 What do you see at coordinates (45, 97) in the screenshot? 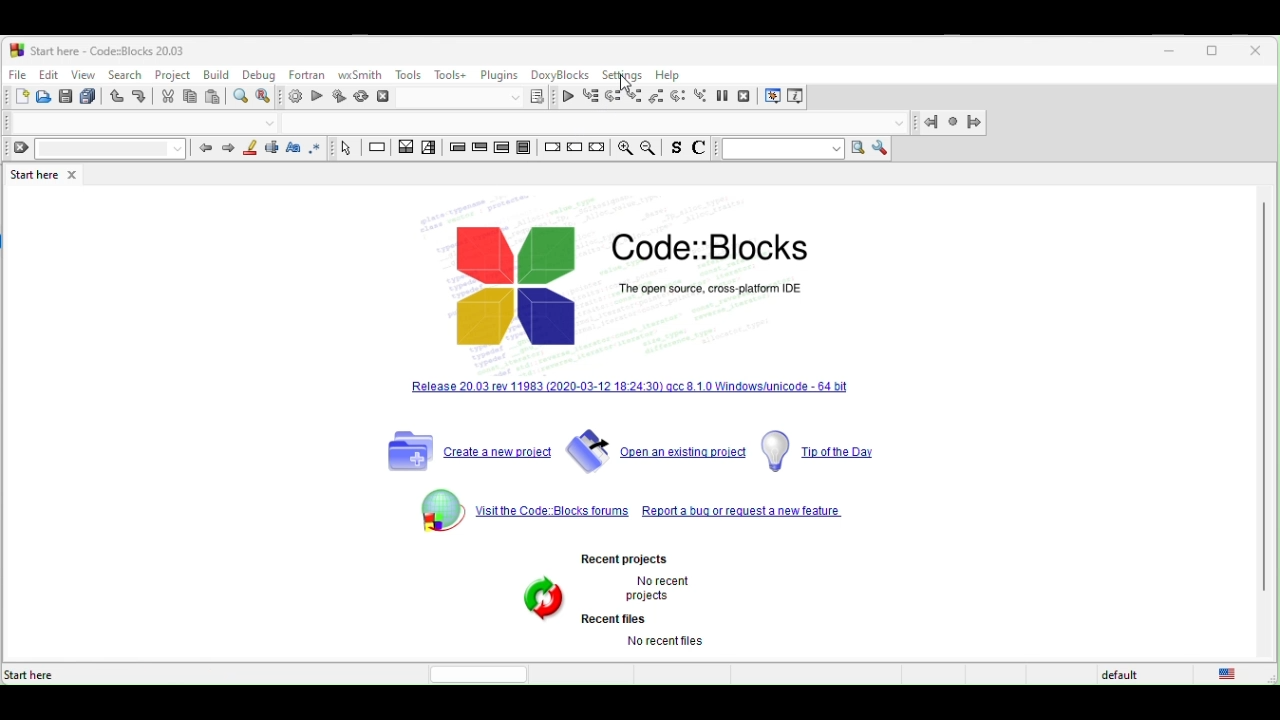
I see `open` at bounding box center [45, 97].